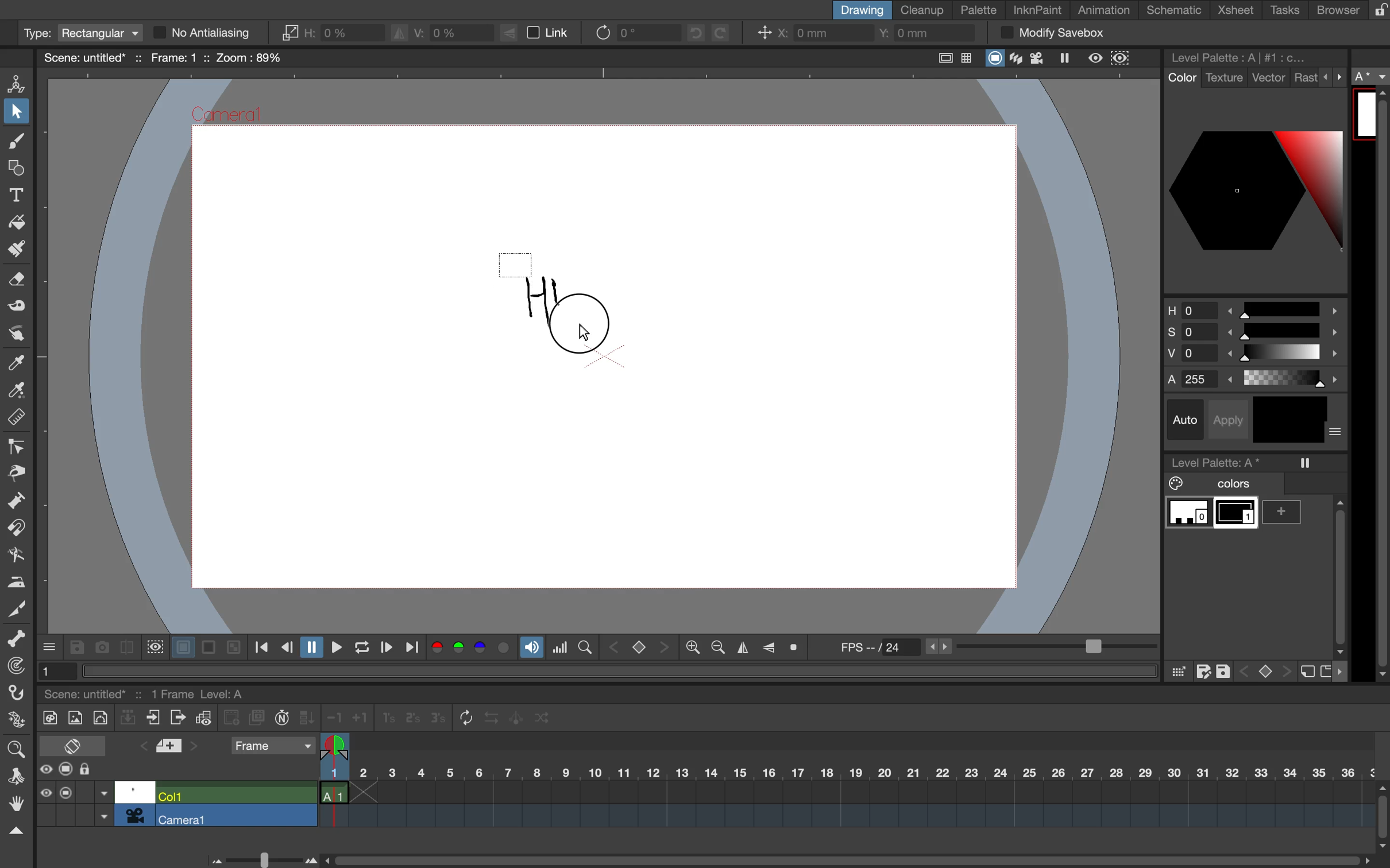 This screenshot has height=868, width=1390. What do you see at coordinates (228, 116) in the screenshot?
I see `Camera1` at bounding box center [228, 116].